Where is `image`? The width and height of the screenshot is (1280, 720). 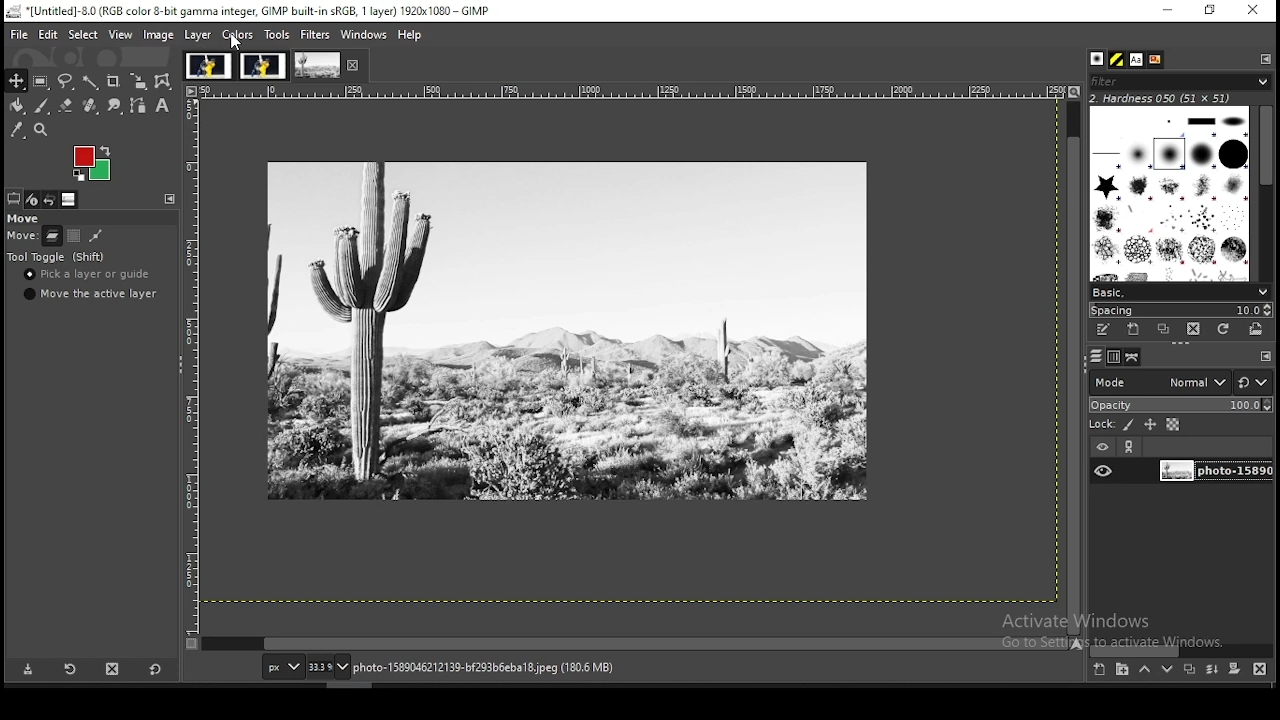
image is located at coordinates (568, 330).